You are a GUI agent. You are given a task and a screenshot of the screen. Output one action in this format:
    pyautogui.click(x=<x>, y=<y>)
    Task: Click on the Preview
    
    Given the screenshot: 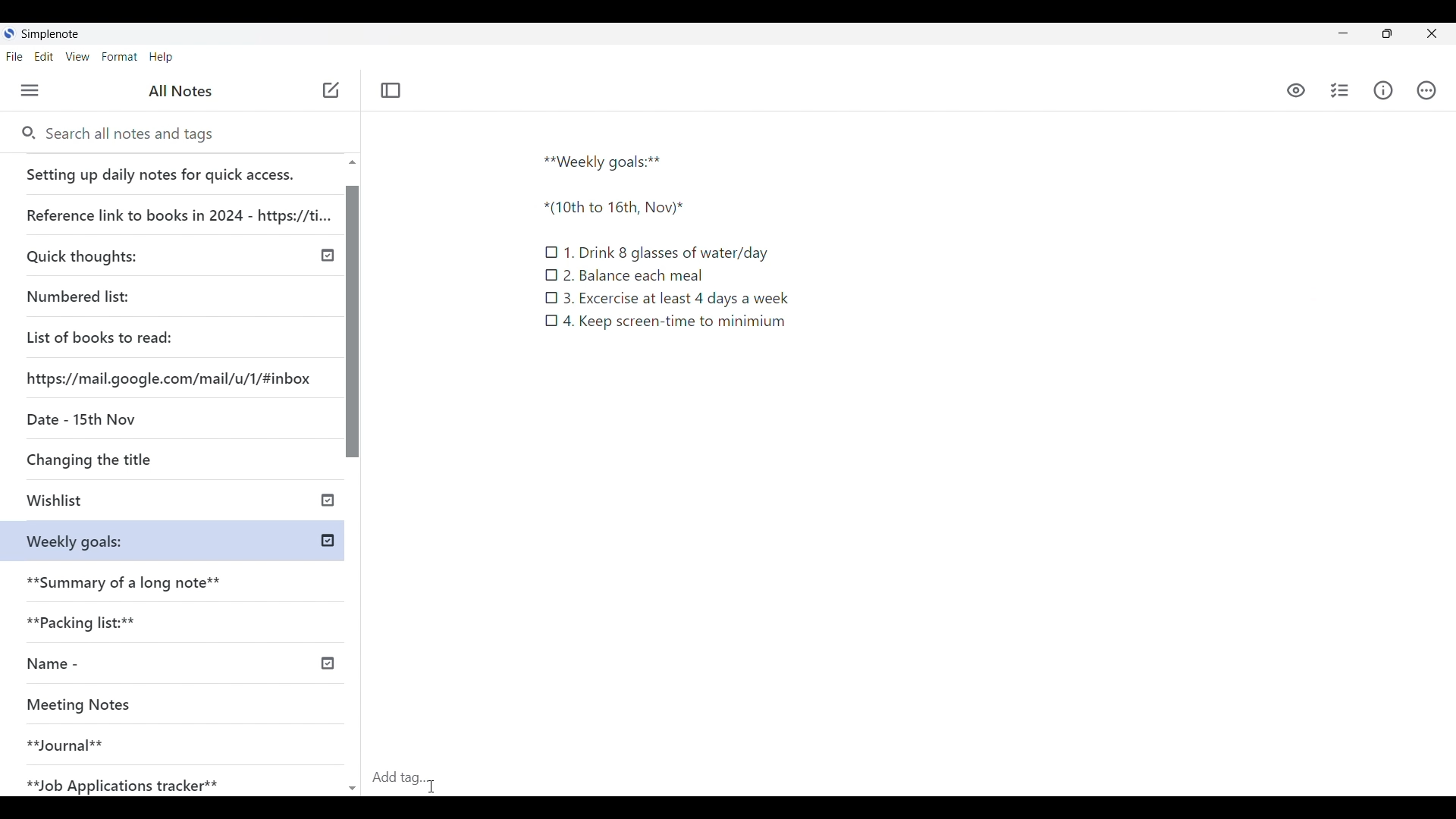 What is the action you would take?
    pyautogui.click(x=1297, y=92)
    